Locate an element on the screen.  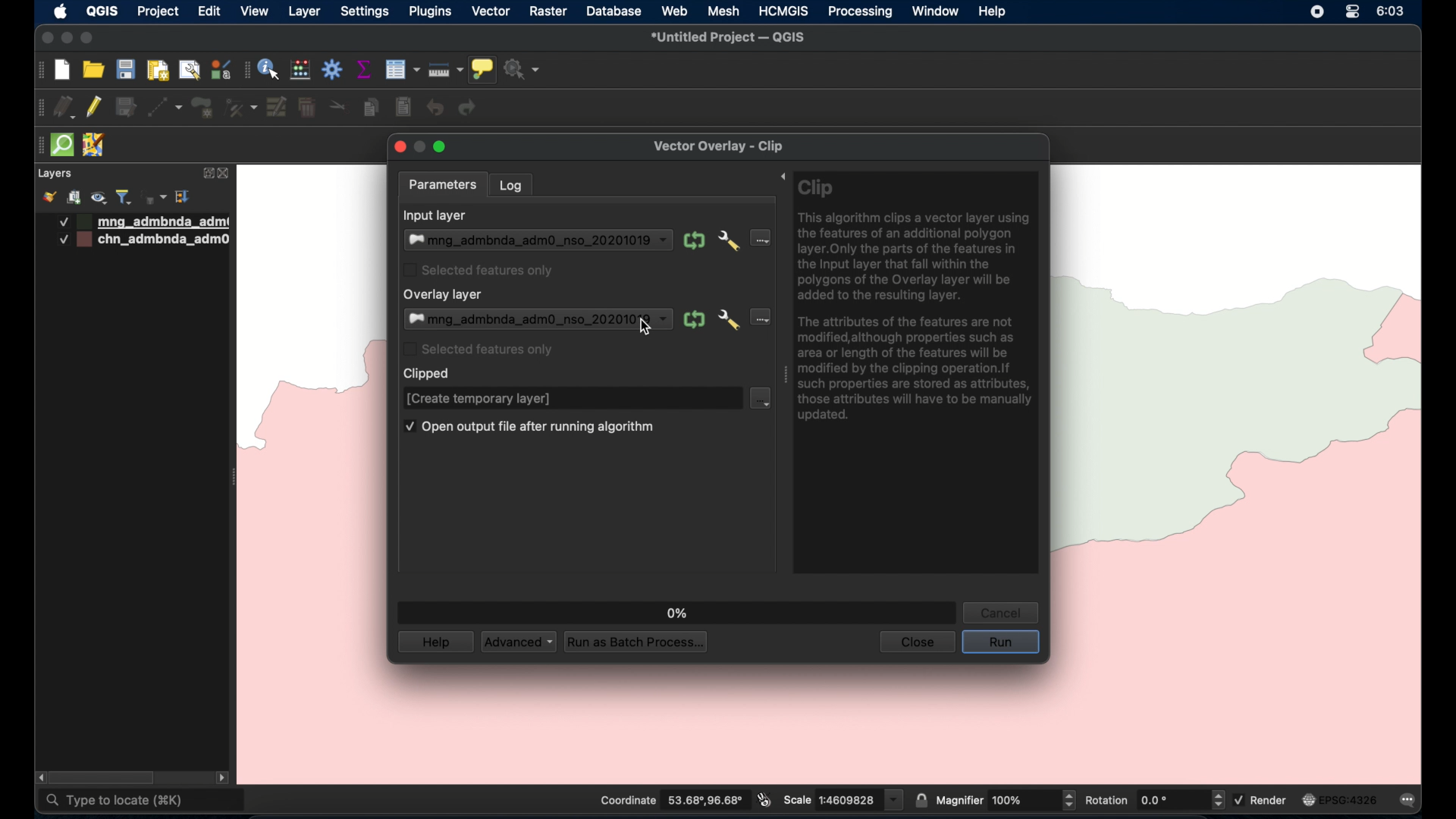
overlay layer dropdown is located at coordinates (538, 318).